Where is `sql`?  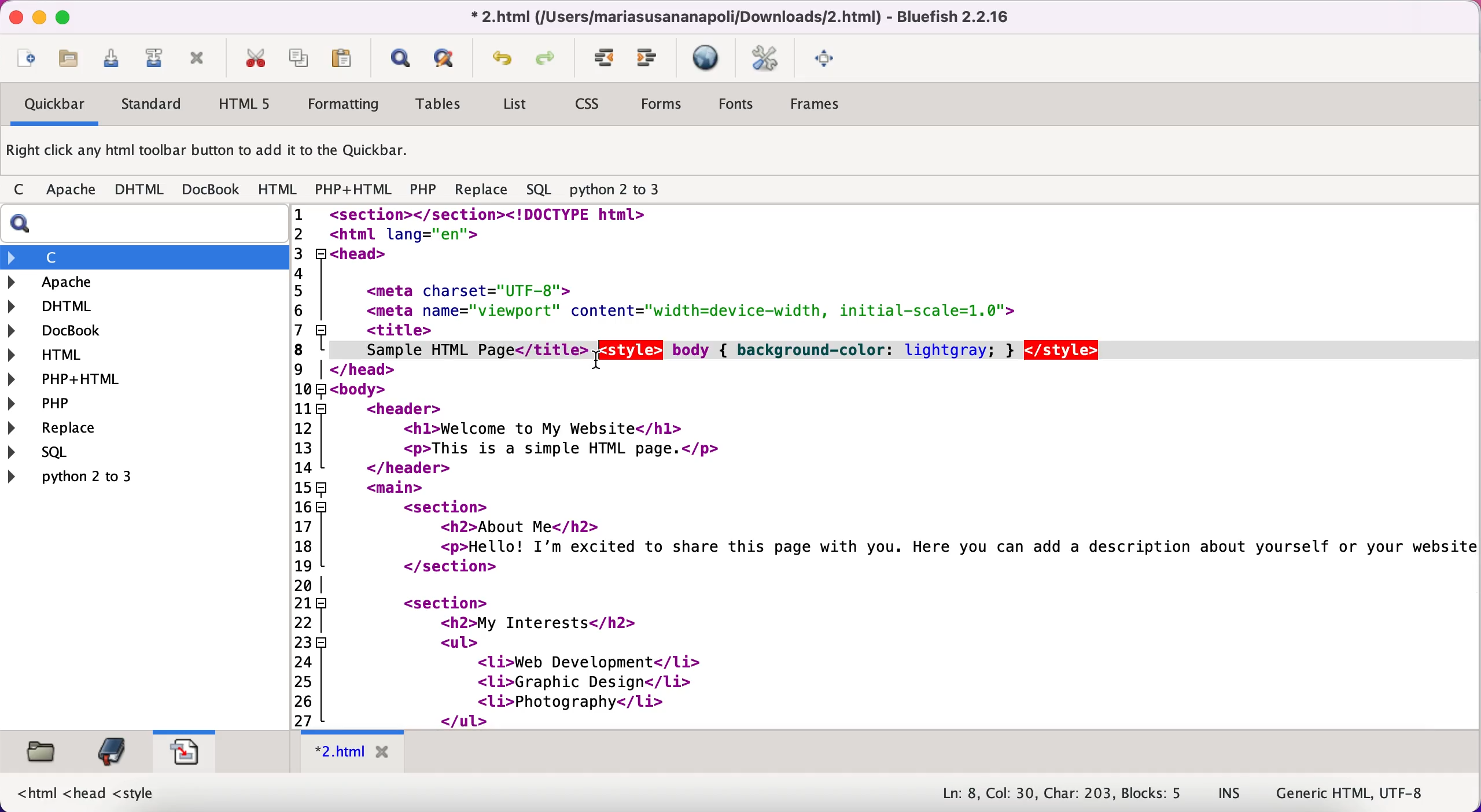
sql is located at coordinates (541, 190).